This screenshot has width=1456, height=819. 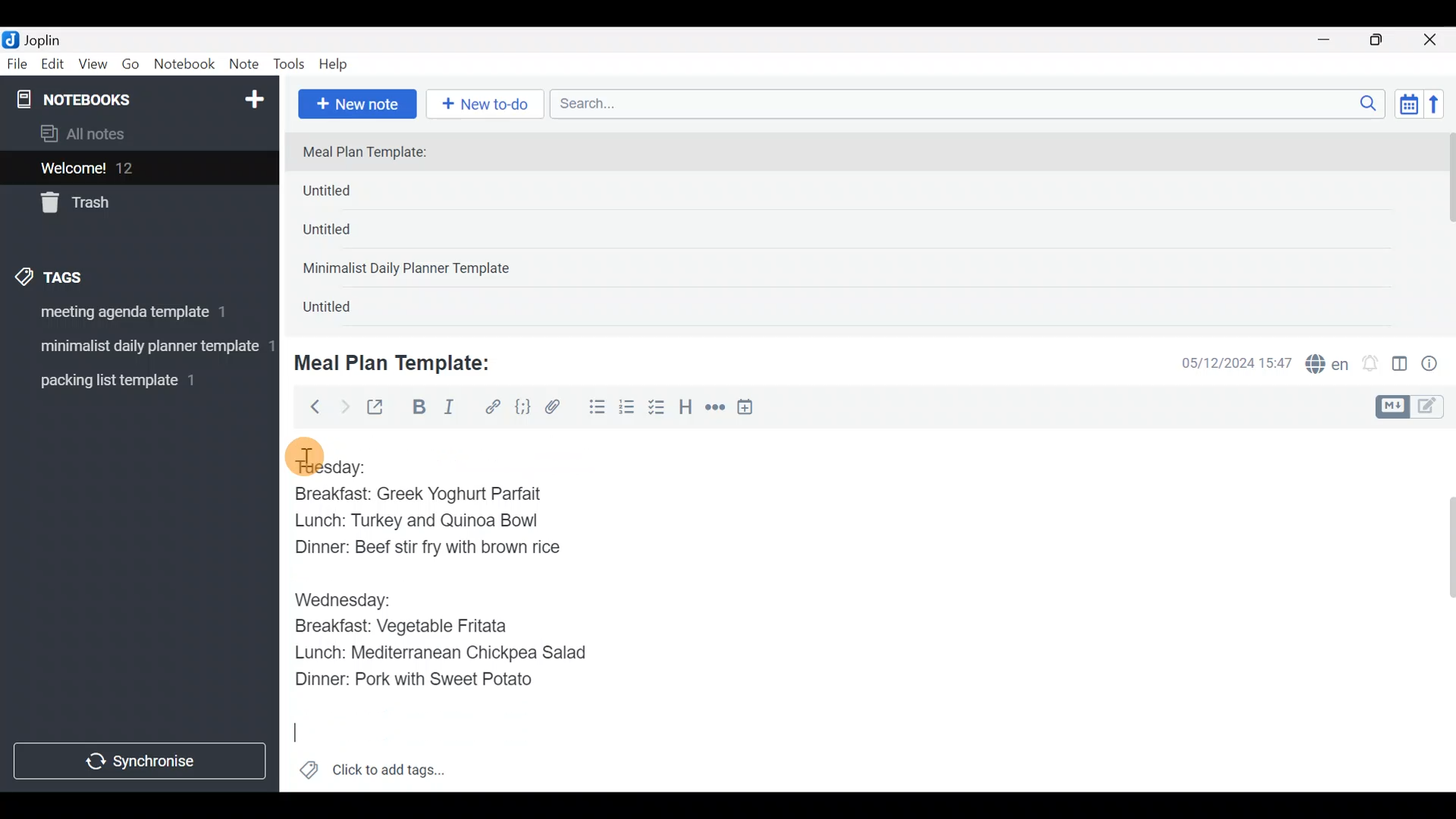 I want to click on Edit, so click(x=53, y=67).